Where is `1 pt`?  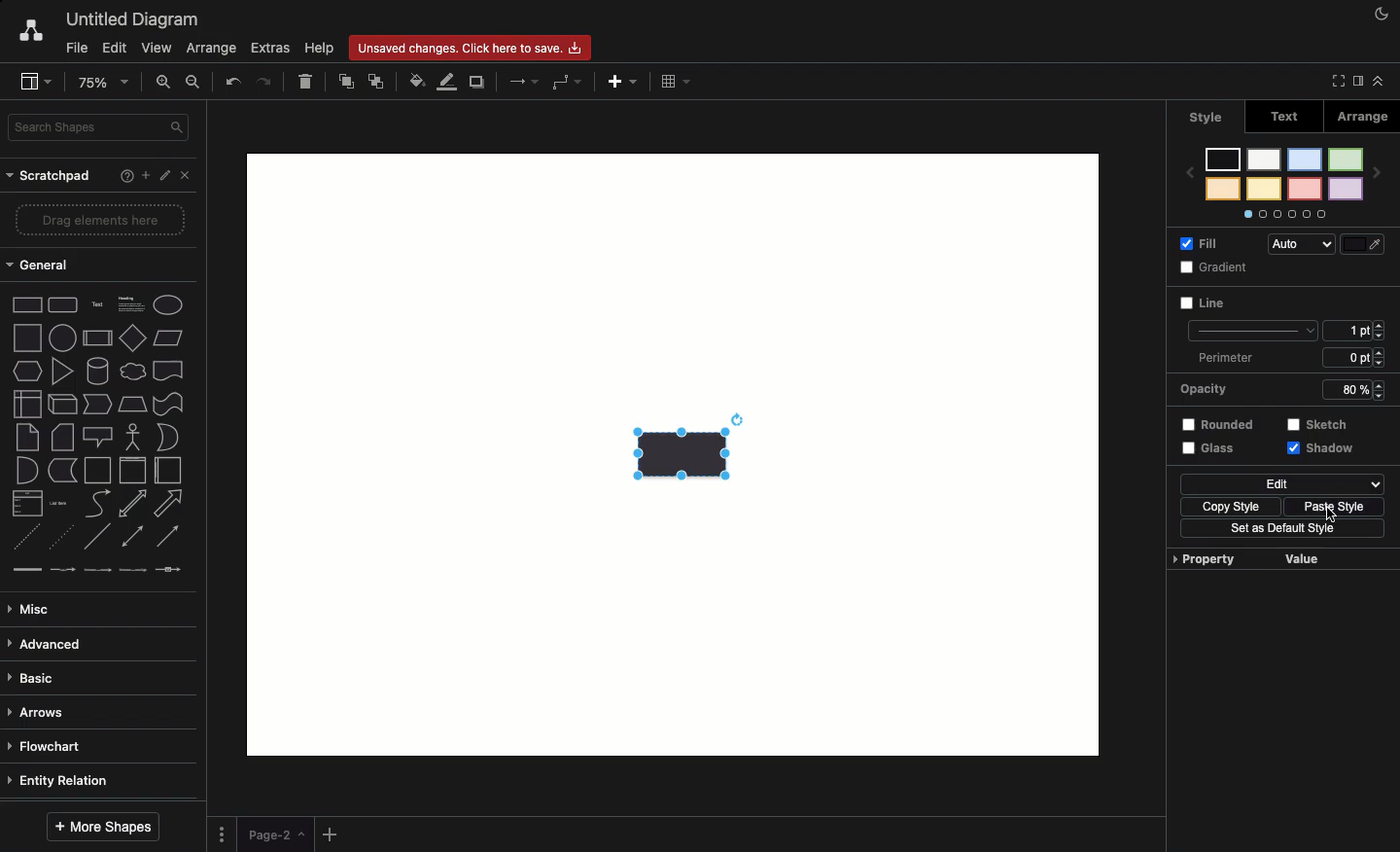
1 pt is located at coordinates (1351, 333).